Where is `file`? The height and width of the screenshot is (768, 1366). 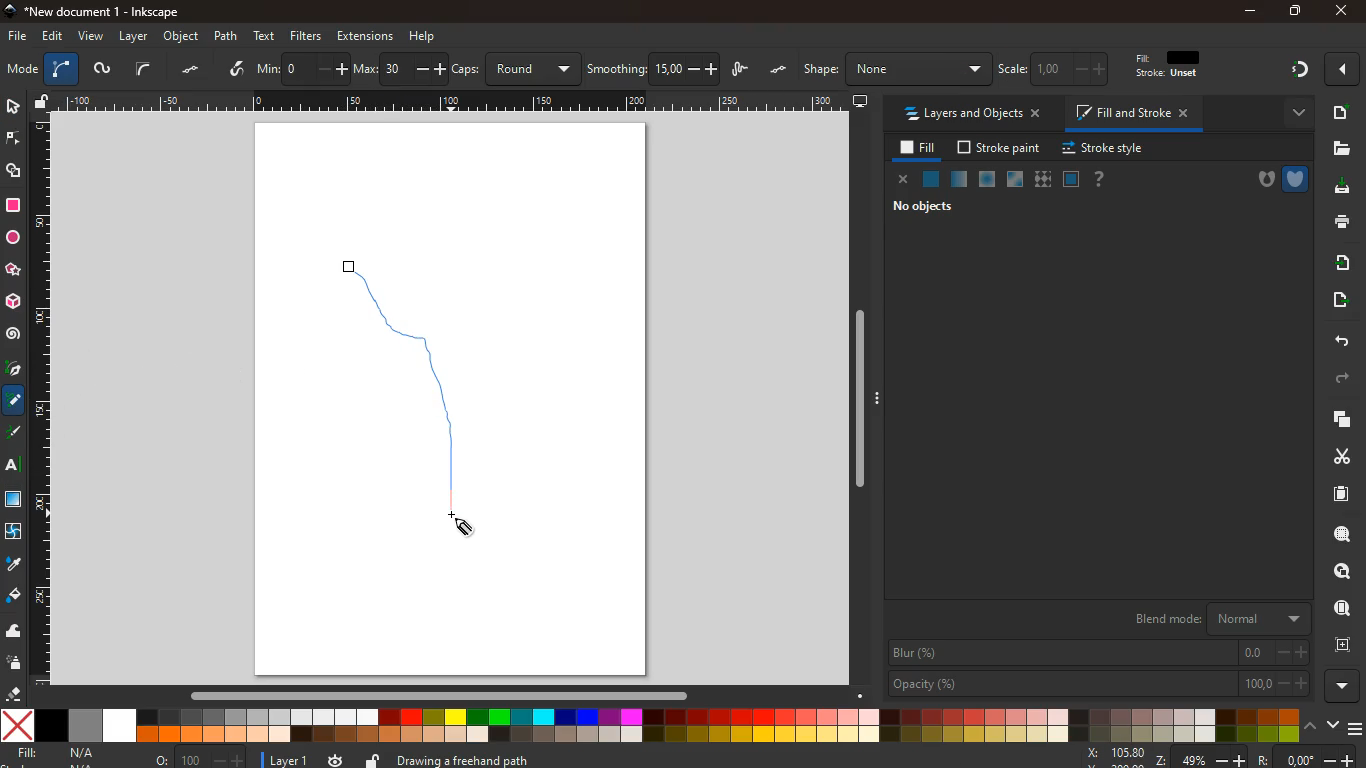
file is located at coordinates (16, 37).